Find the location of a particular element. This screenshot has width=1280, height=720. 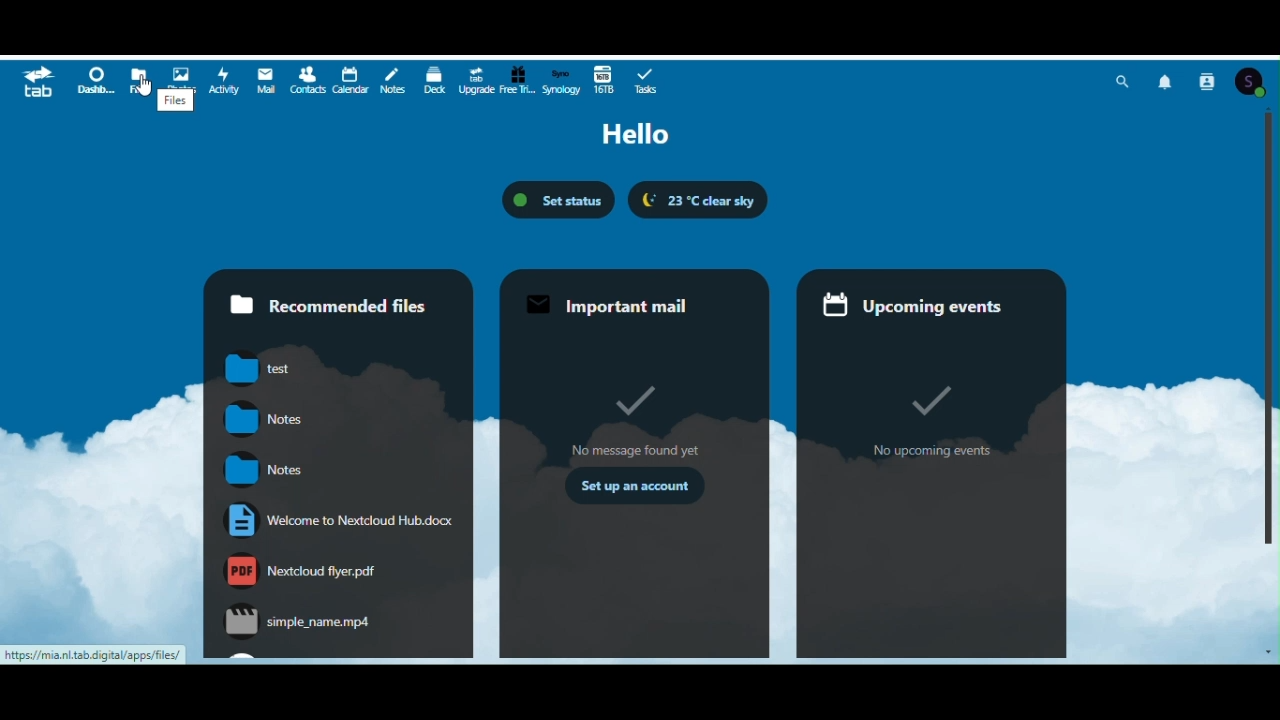

Photos is located at coordinates (185, 74).